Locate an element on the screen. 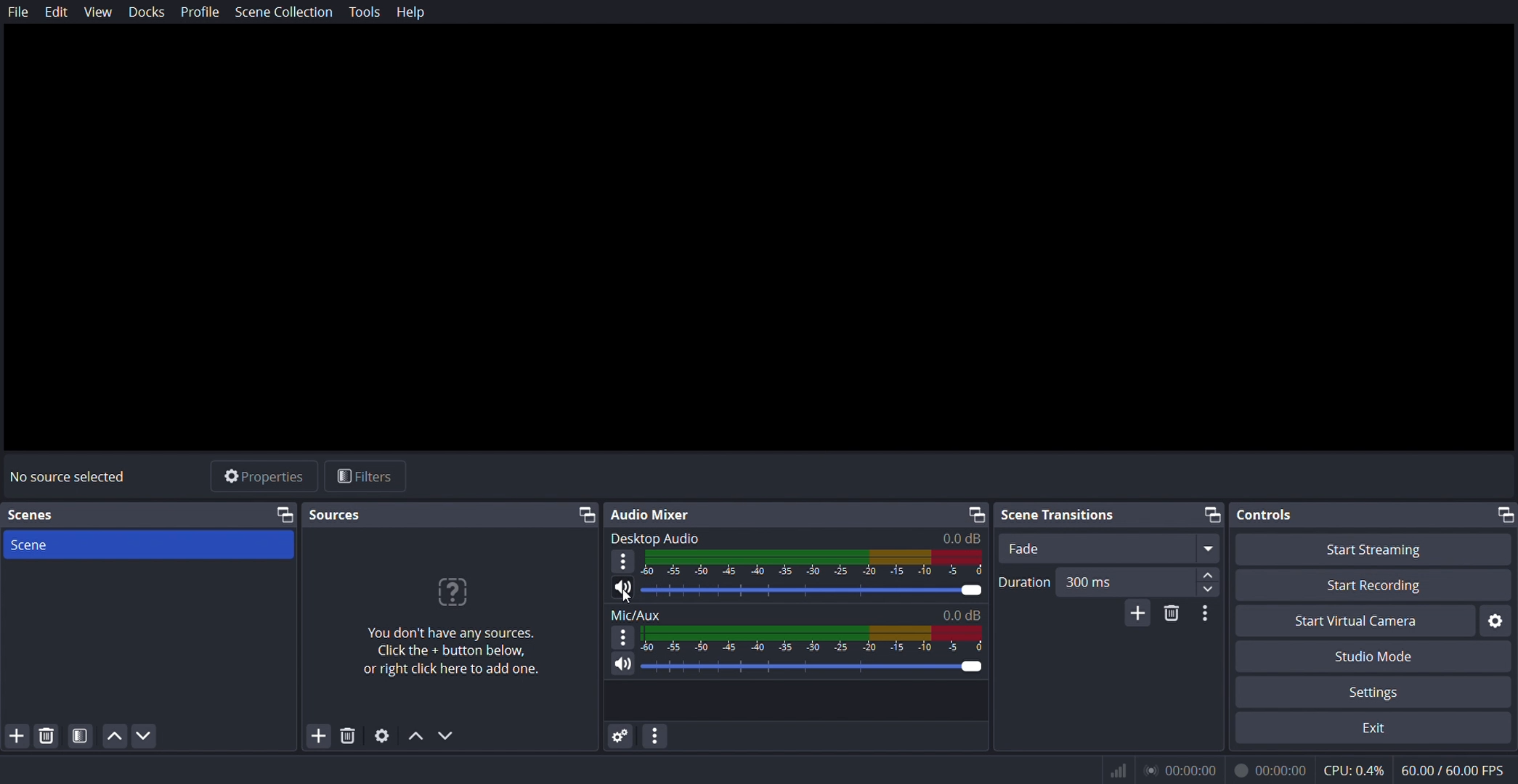 The height and width of the screenshot is (784, 1518). options is located at coordinates (622, 640).